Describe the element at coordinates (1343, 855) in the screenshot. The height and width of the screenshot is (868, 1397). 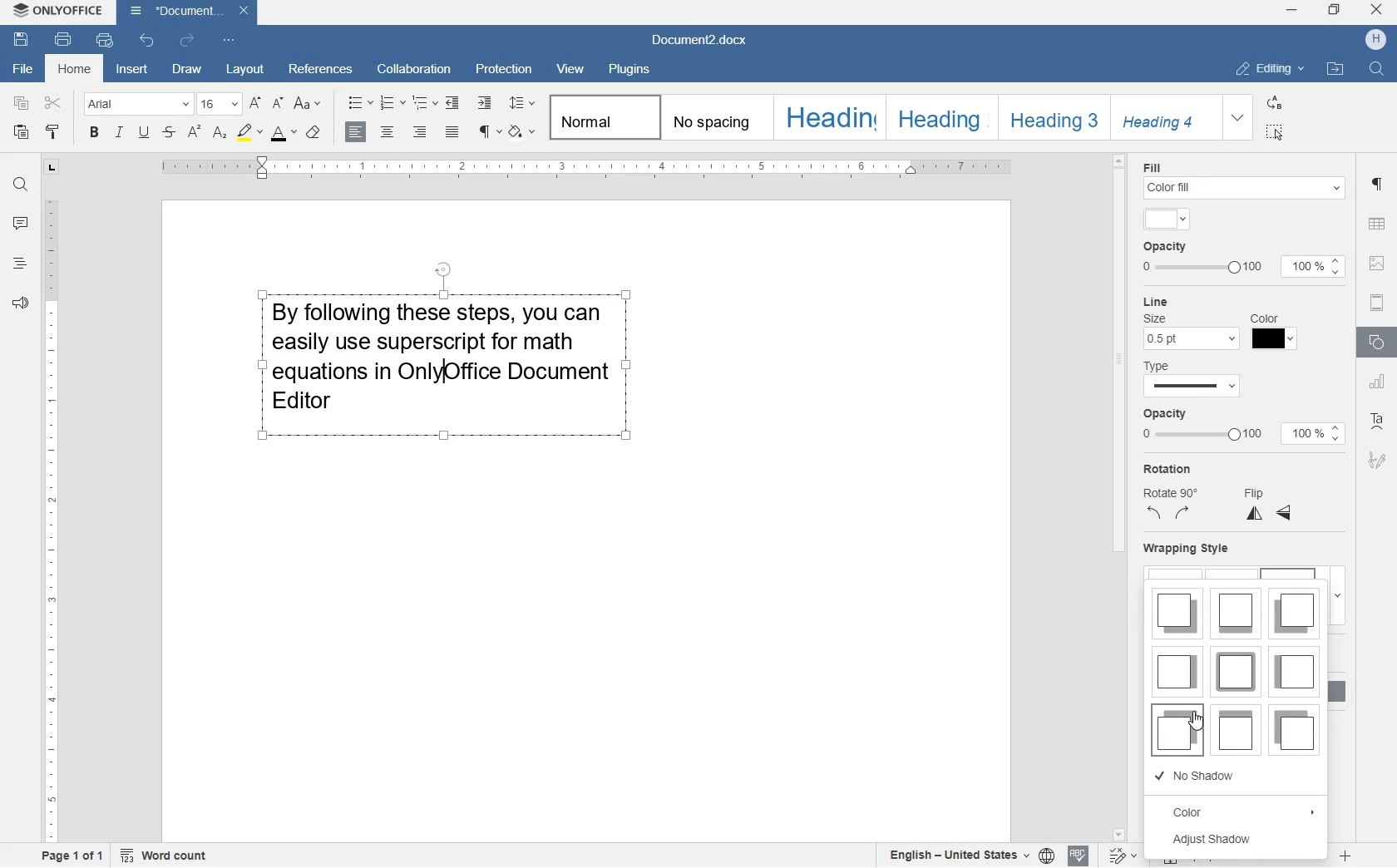
I see `zoom in or zoom out` at that location.